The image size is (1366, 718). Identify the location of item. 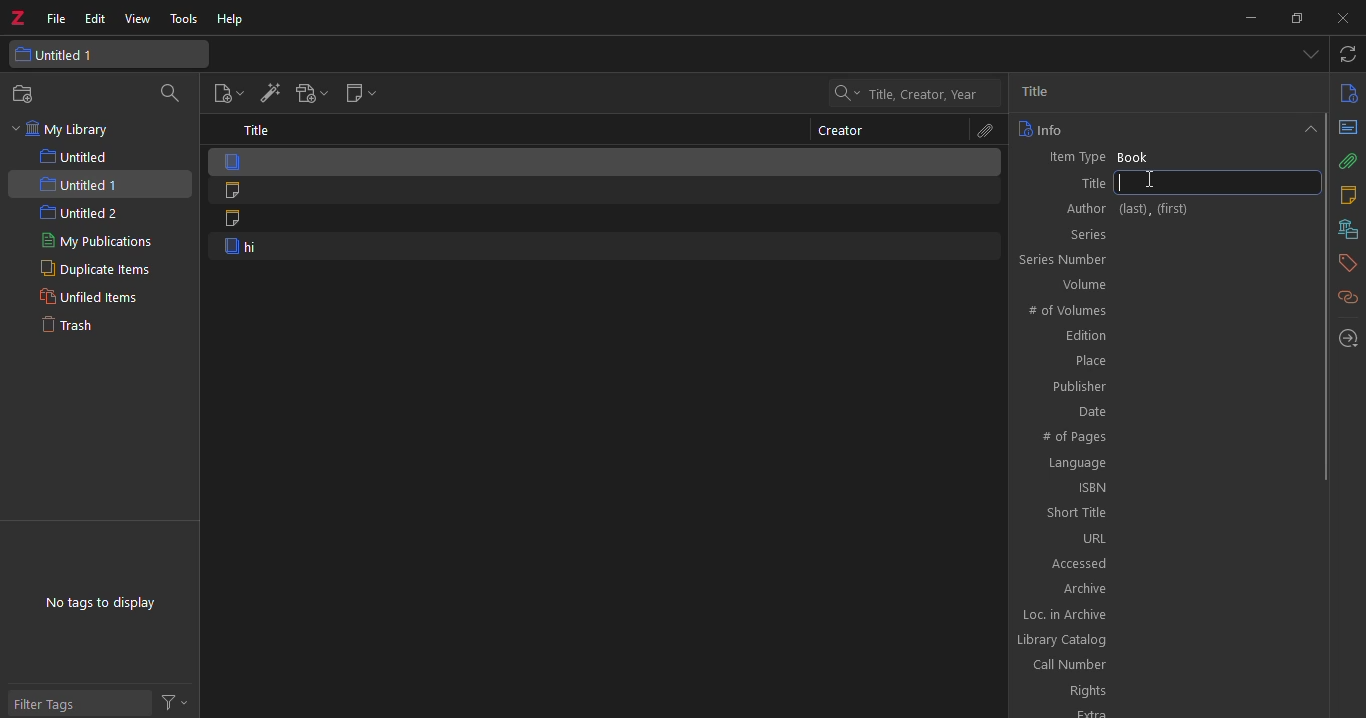
(603, 248).